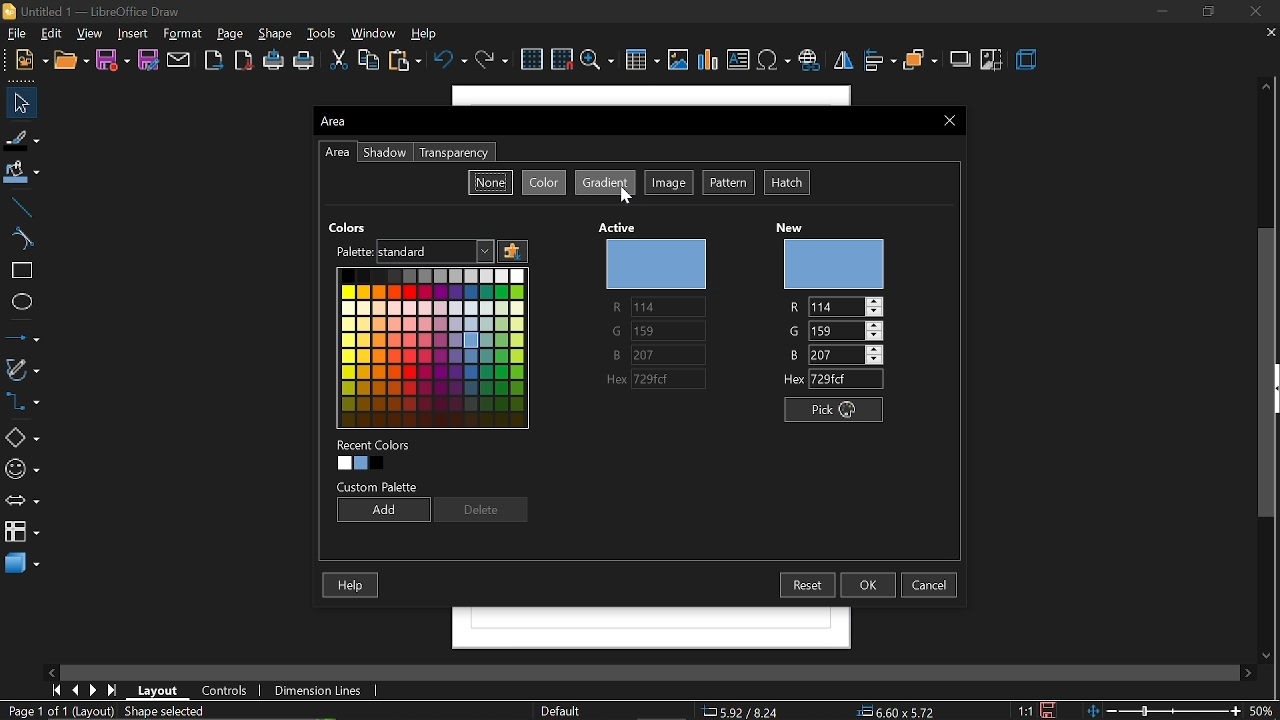 This screenshot has width=1280, height=720. I want to click on print directly, so click(273, 61).